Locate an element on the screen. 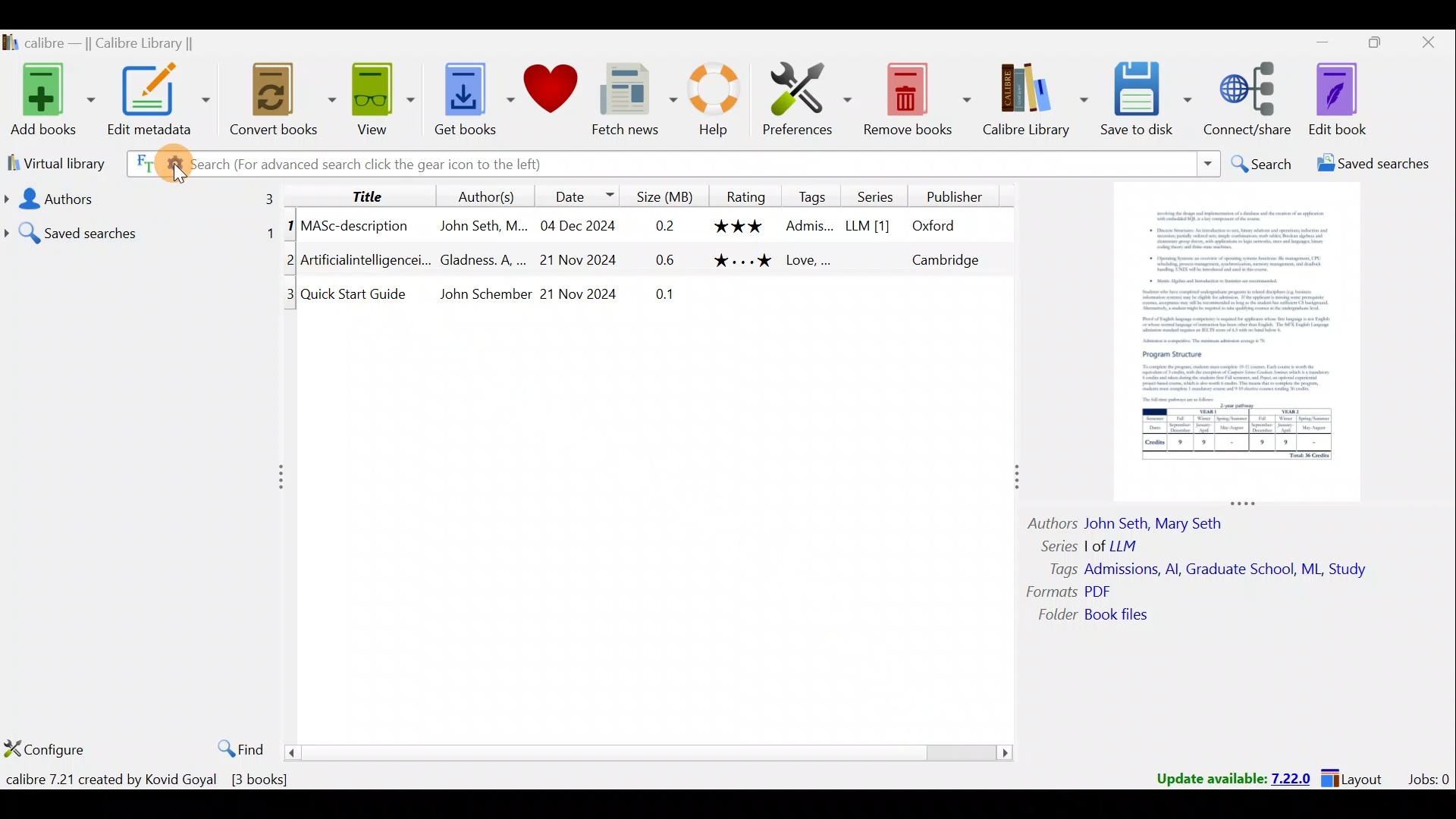 The image size is (1456, 819). Donate is located at coordinates (550, 91).